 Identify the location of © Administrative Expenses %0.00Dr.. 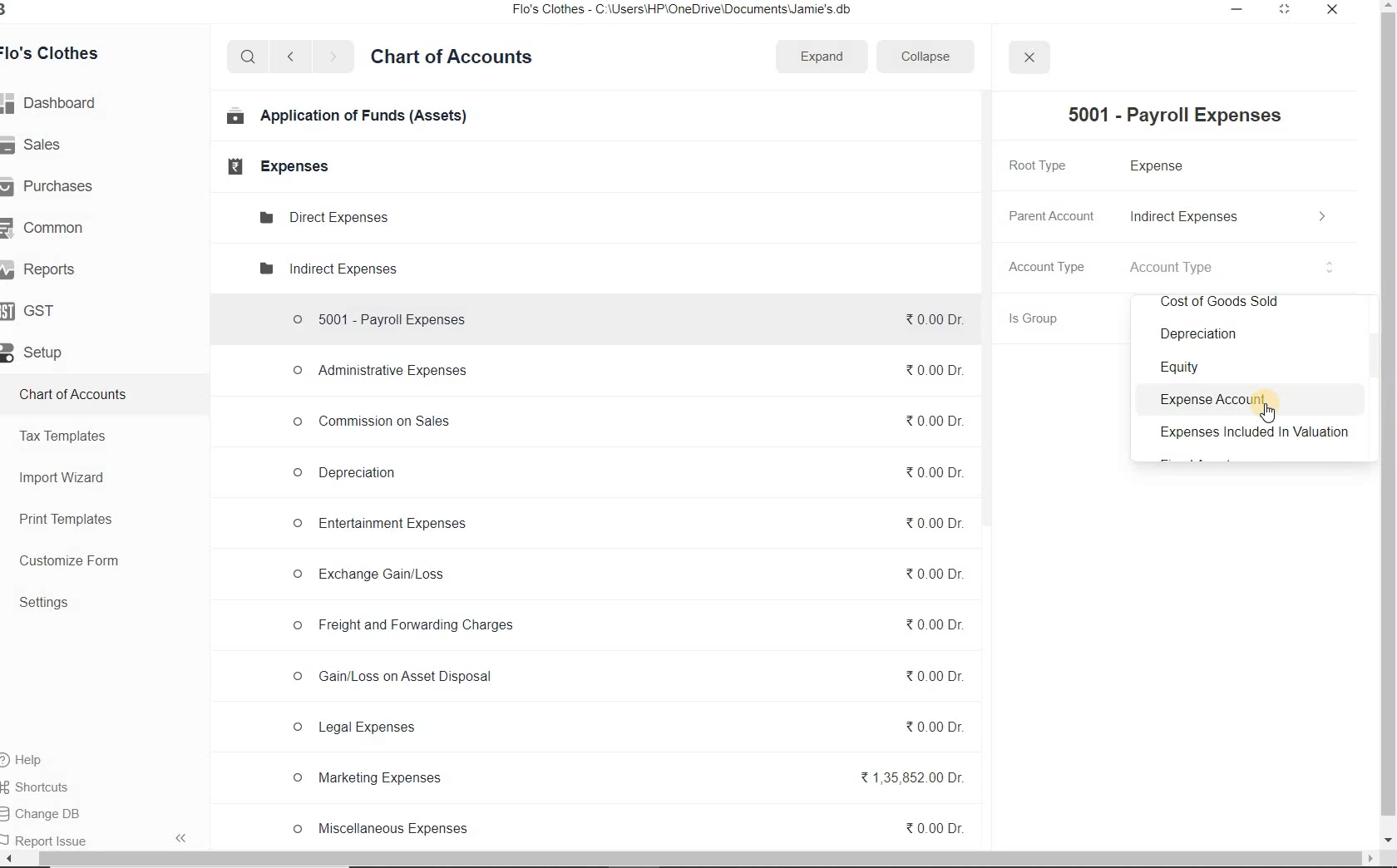
(628, 369).